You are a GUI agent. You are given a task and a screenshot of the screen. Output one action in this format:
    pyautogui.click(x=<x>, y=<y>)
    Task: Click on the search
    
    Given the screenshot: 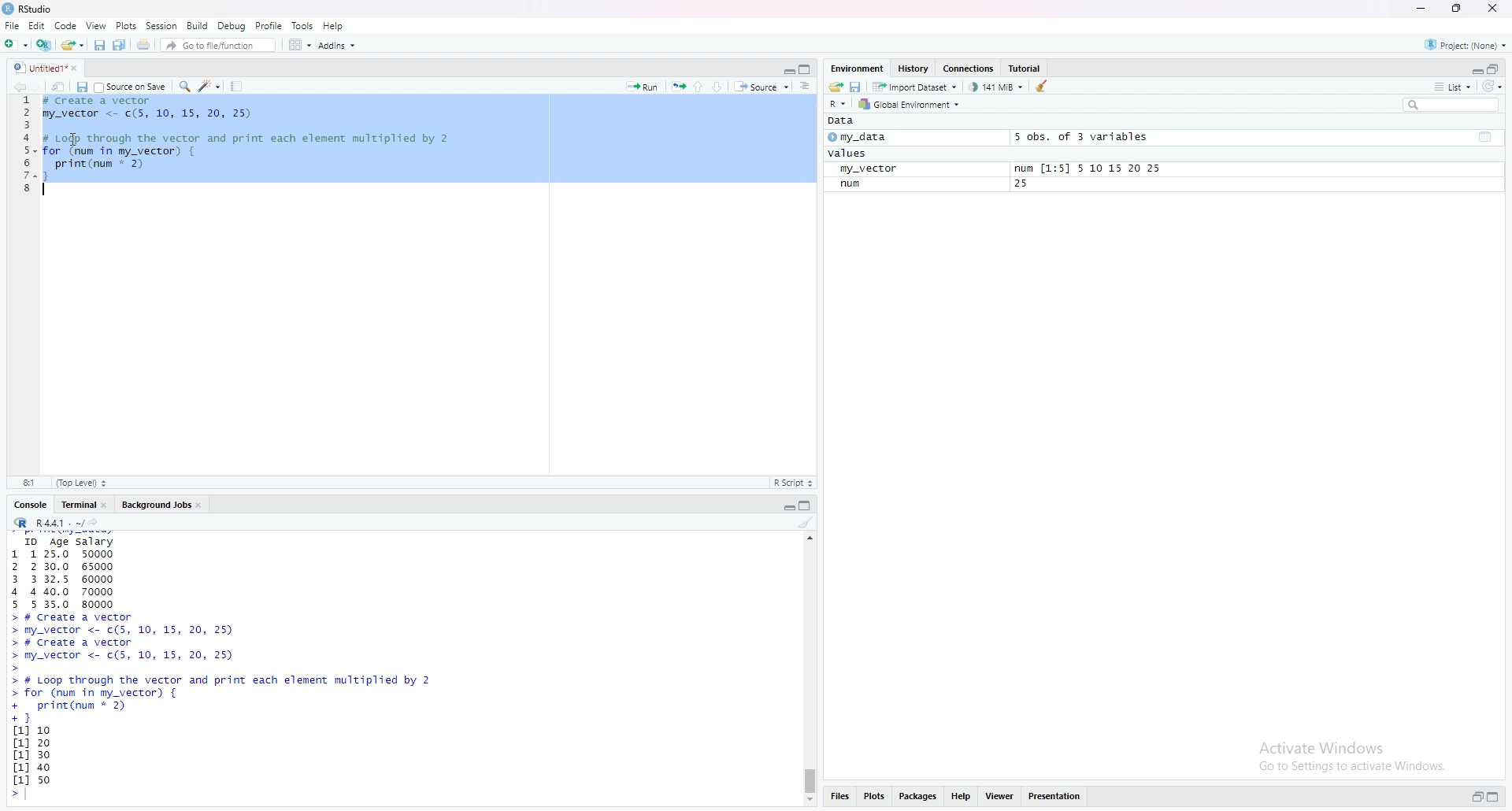 What is the action you would take?
    pyautogui.click(x=1448, y=106)
    